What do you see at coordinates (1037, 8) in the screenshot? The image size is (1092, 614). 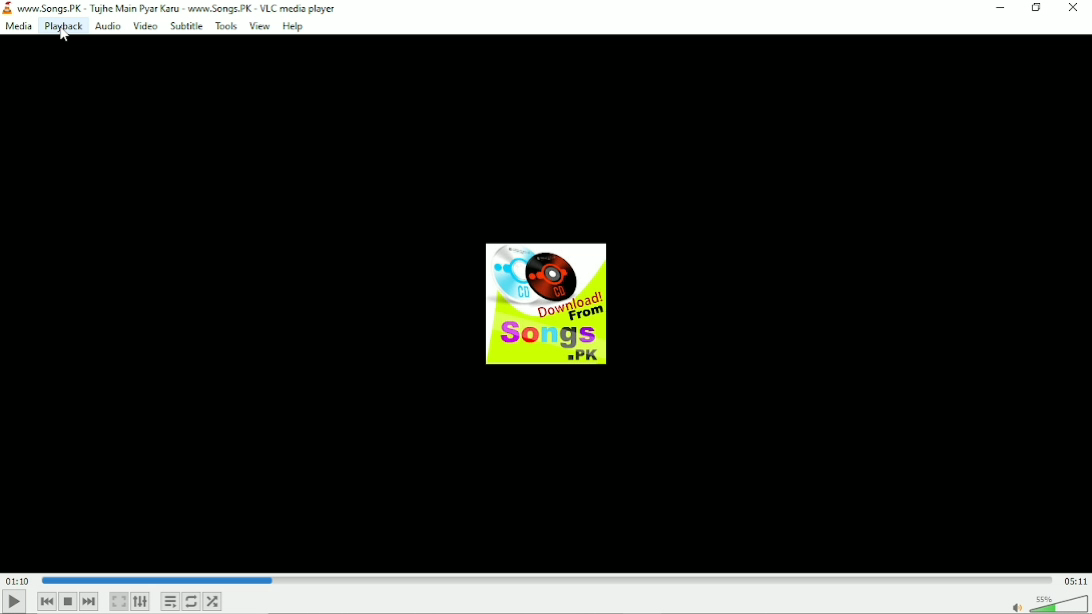 I see `Restore down` at bounding box center [1037, 8].